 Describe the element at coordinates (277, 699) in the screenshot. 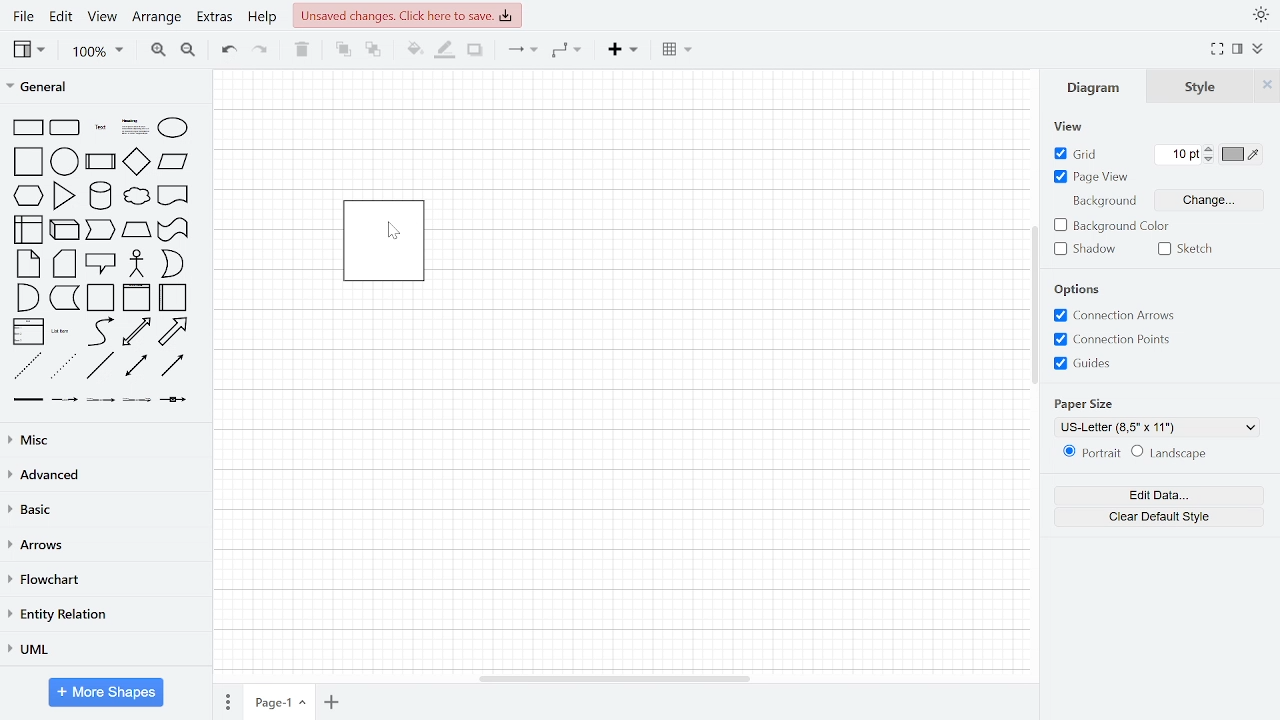

I see `current page` at that location.